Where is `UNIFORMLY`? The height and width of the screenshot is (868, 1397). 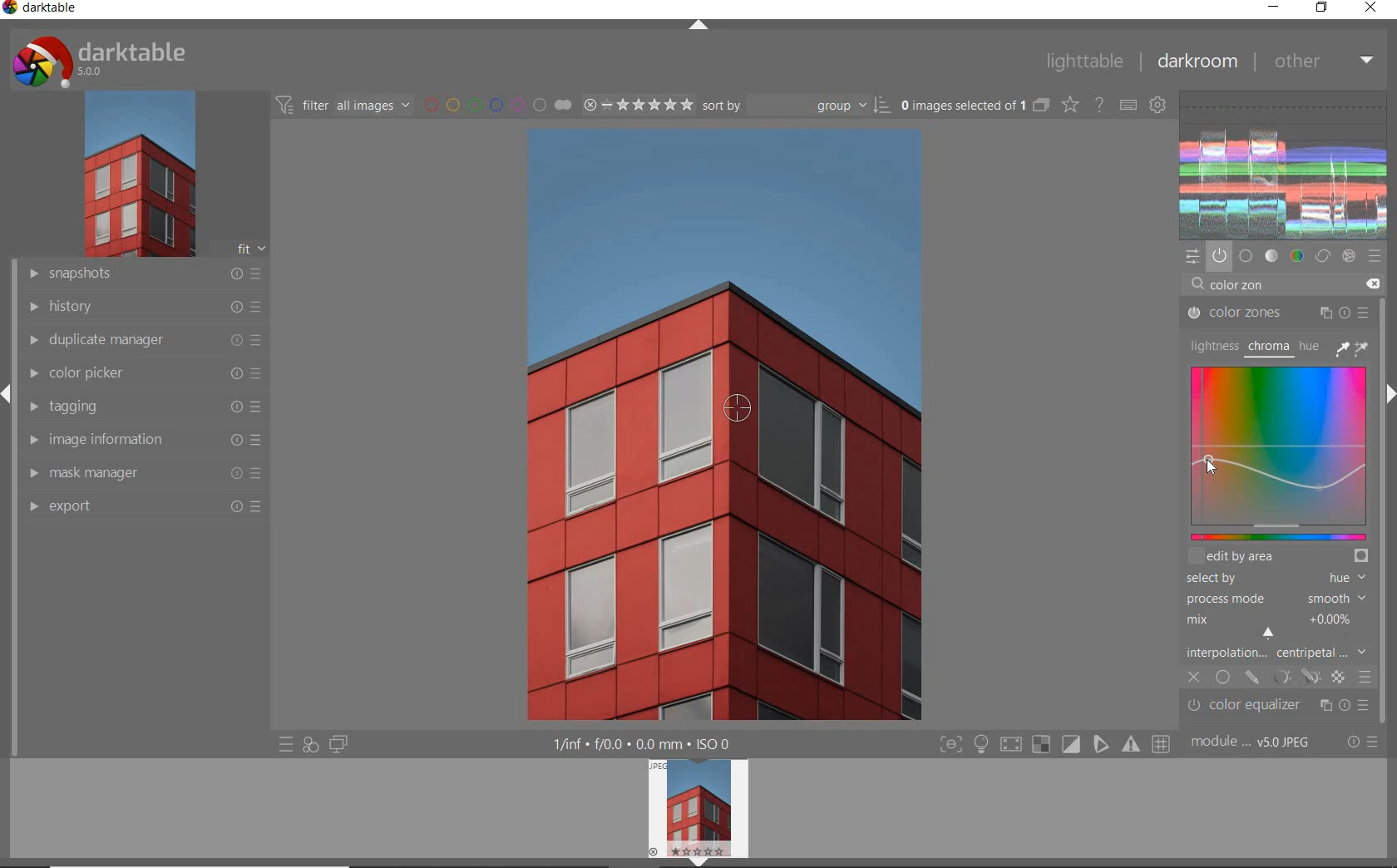
UNIFORMLY is located at coordinates (1222, 678).